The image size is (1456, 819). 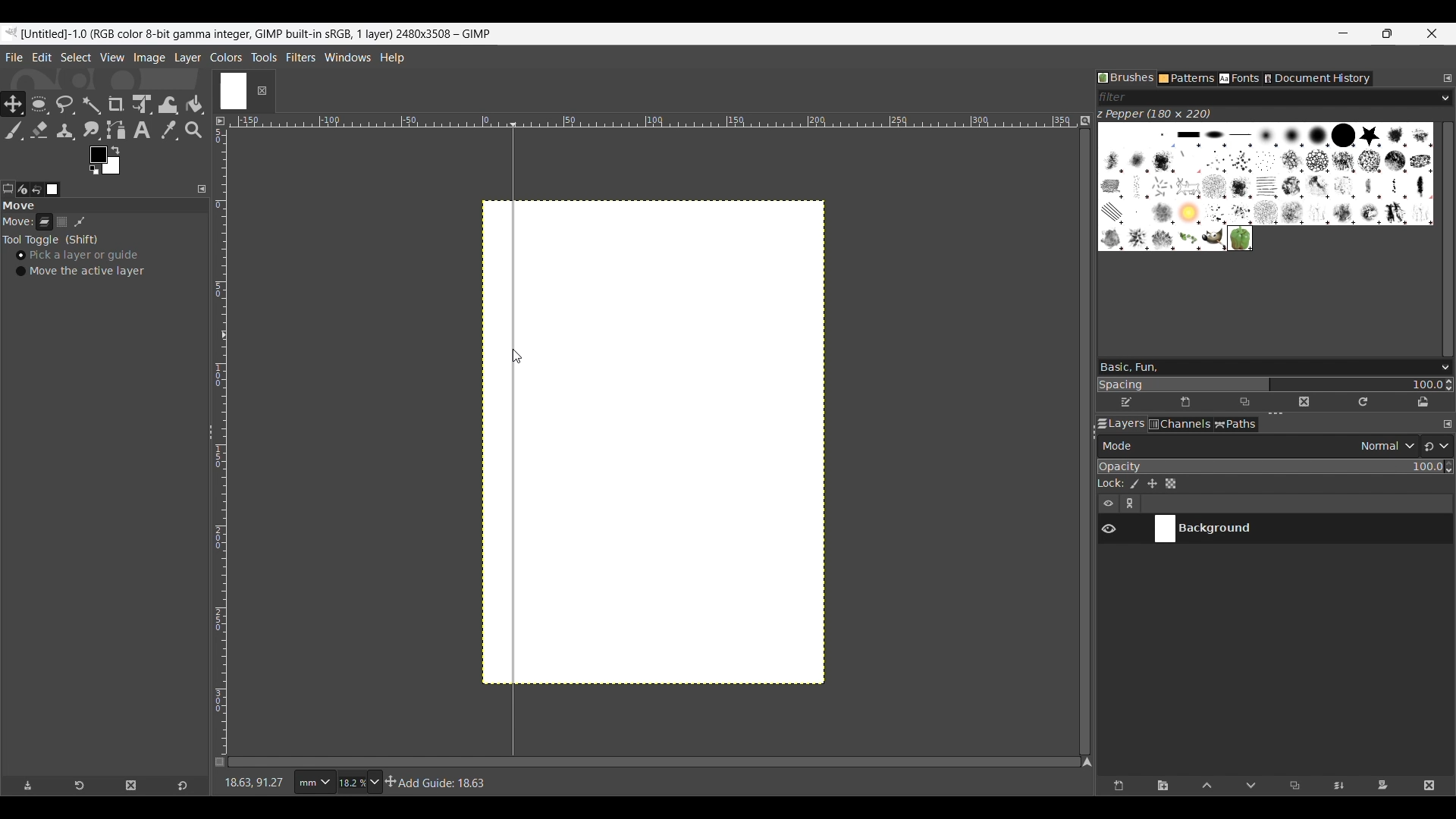 What do you see at coordinates (376, 783) in the screenshot?
I see `Zoom options` at bounding box center [376, 783].